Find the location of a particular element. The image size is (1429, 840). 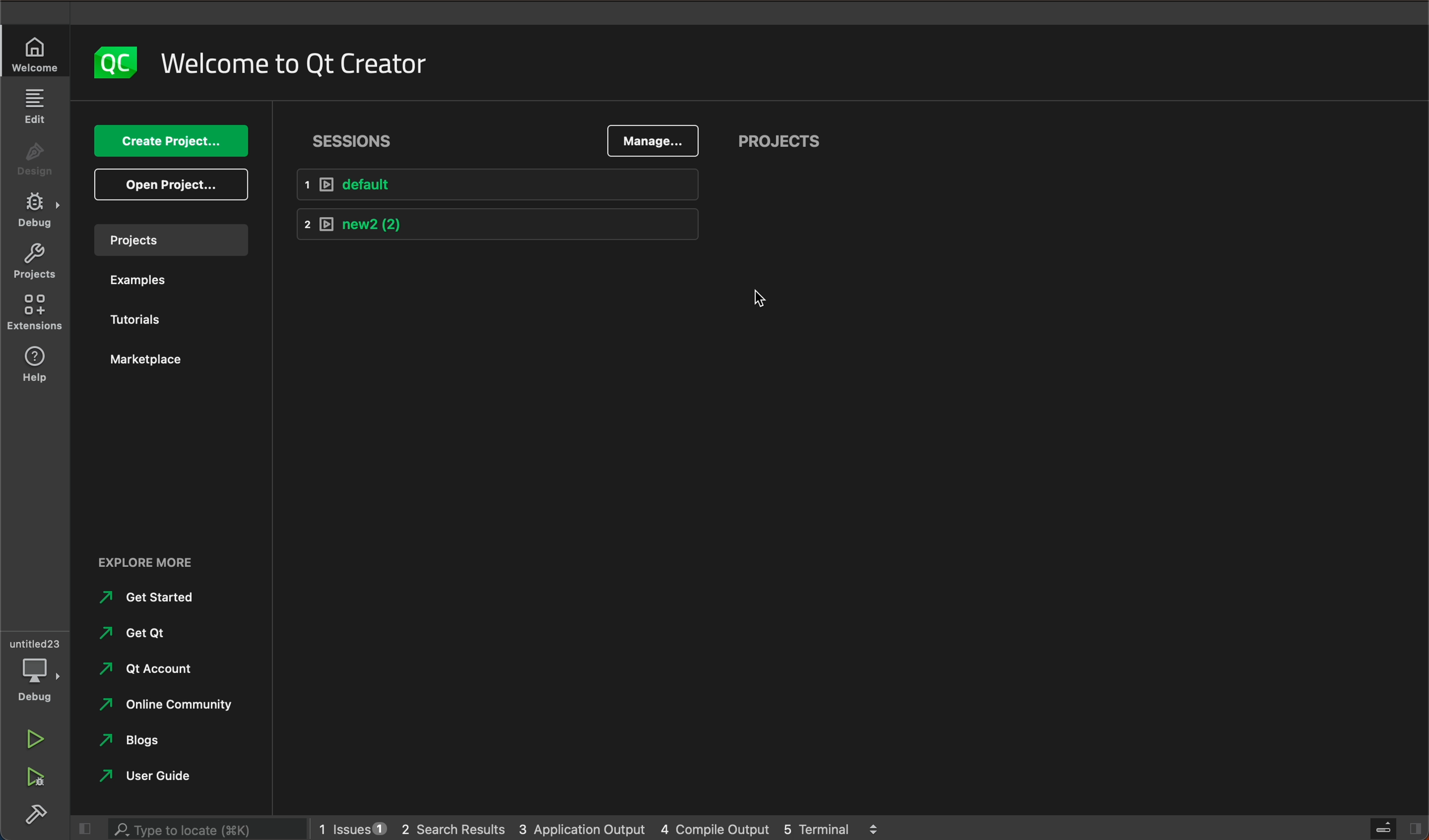

welcome is located at coordinates (302, 63).